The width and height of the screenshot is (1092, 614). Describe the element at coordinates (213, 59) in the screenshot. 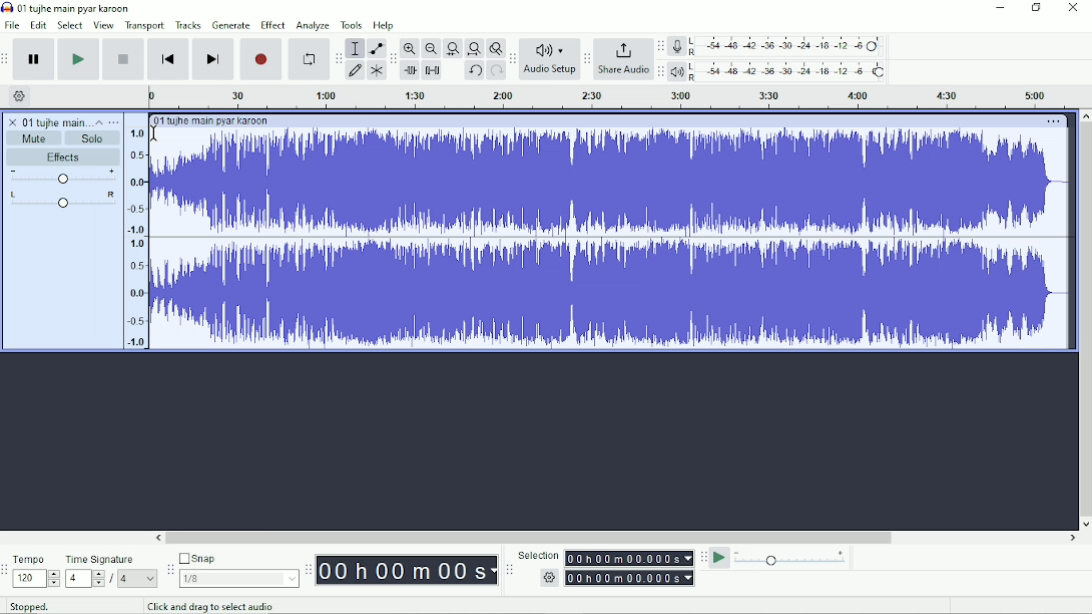

I see `Skip to end` at that location.